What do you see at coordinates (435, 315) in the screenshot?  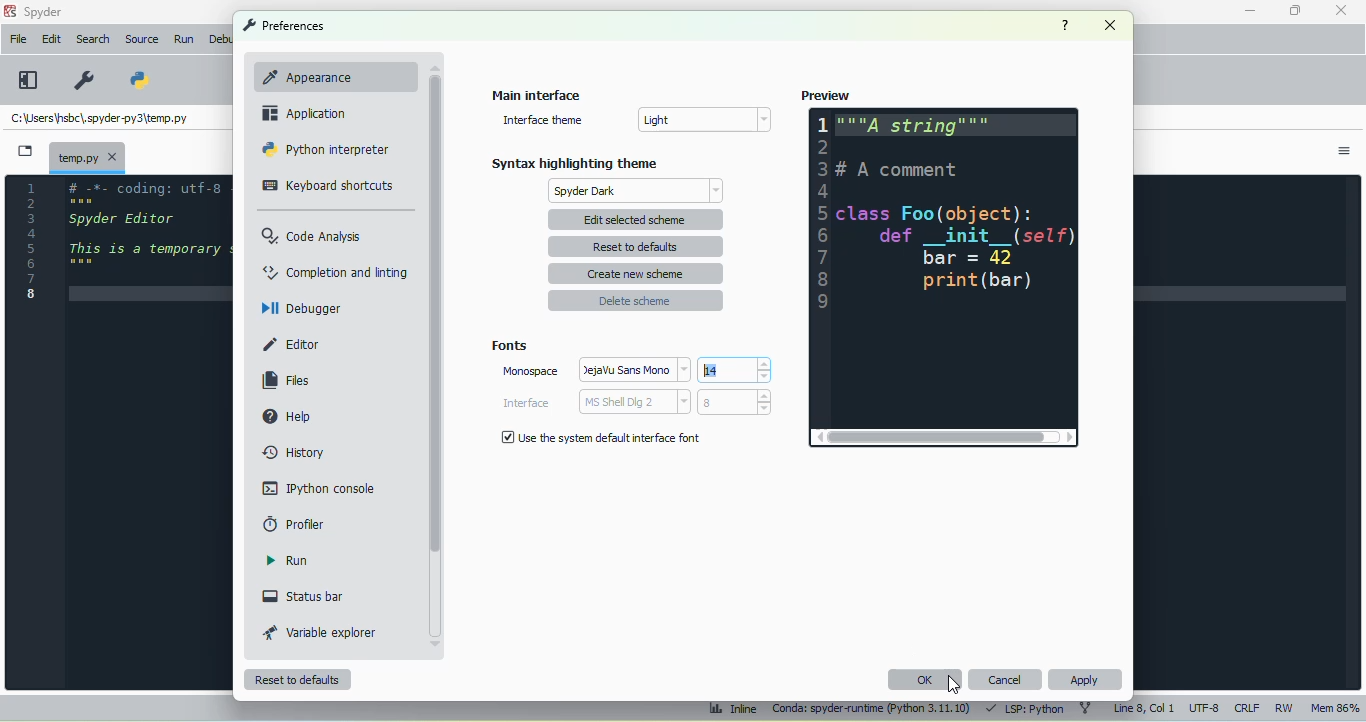 I see `vertical scroll bar` at bounding box center [435, 315].